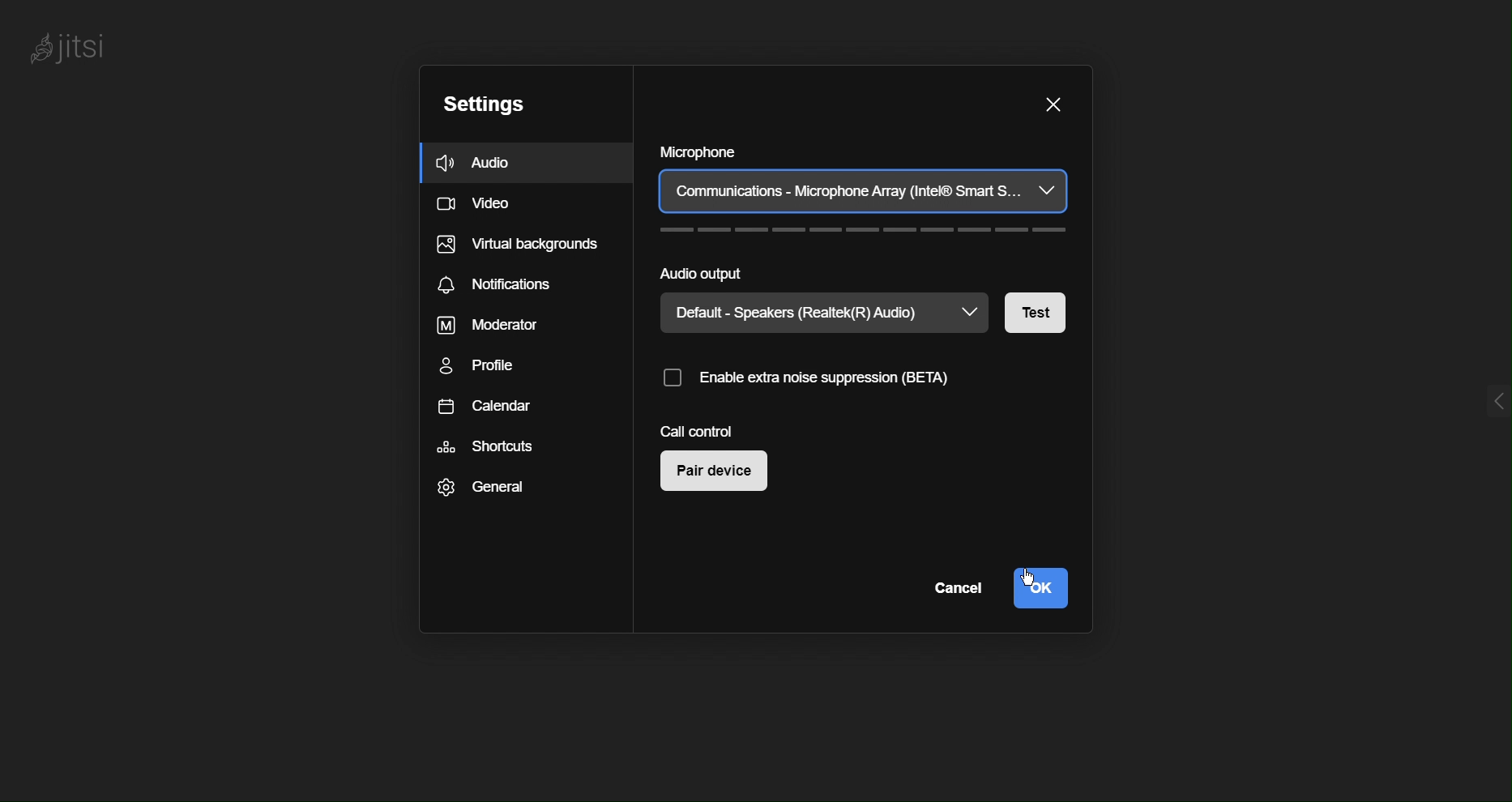 This screenshot has height=802, width=1512. Describe the element at coordinates (703, 430) in the screenshot. I see `Call Control` at that location.